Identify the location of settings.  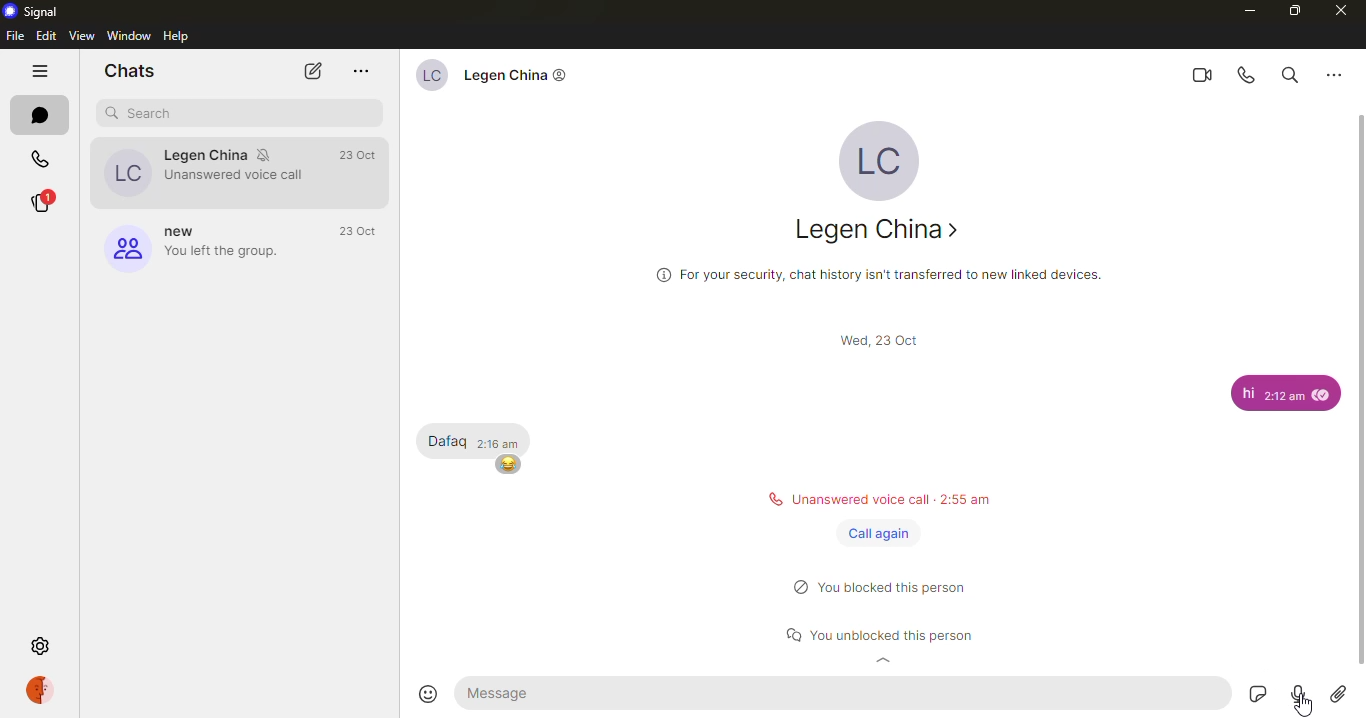
(38, 646).